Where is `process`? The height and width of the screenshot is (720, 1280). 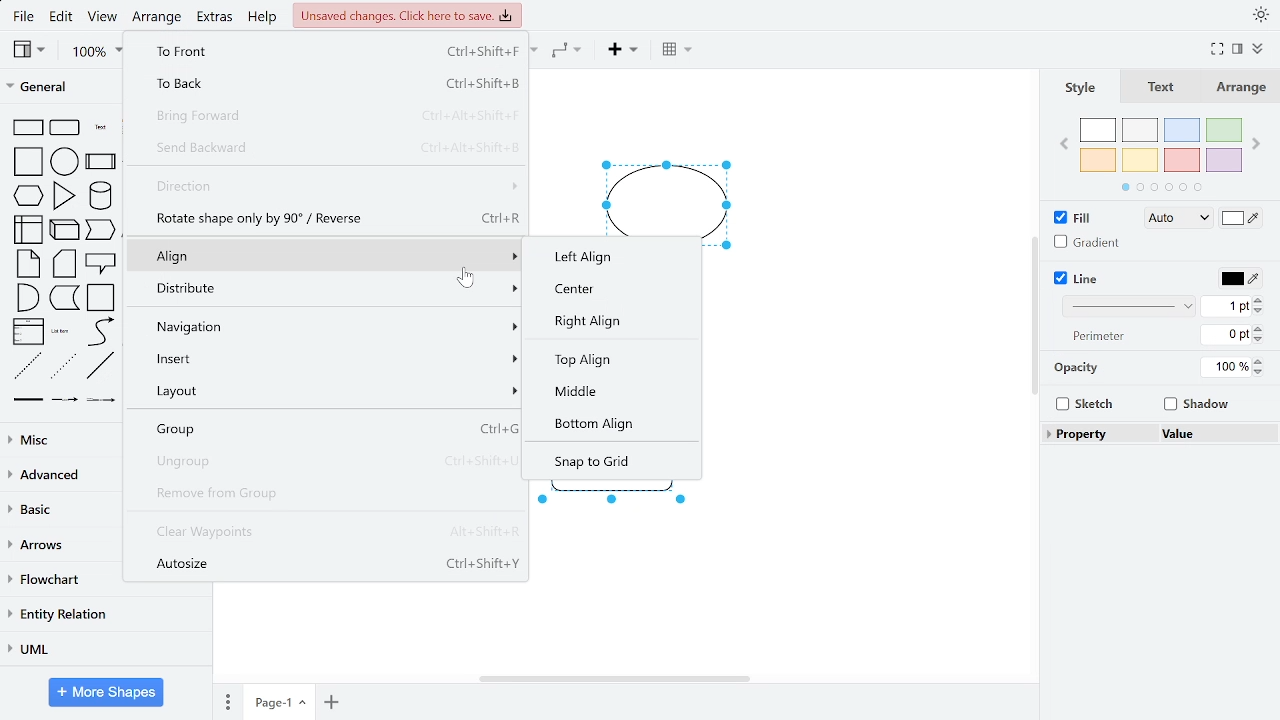 process is located at coordinates (101, 161).